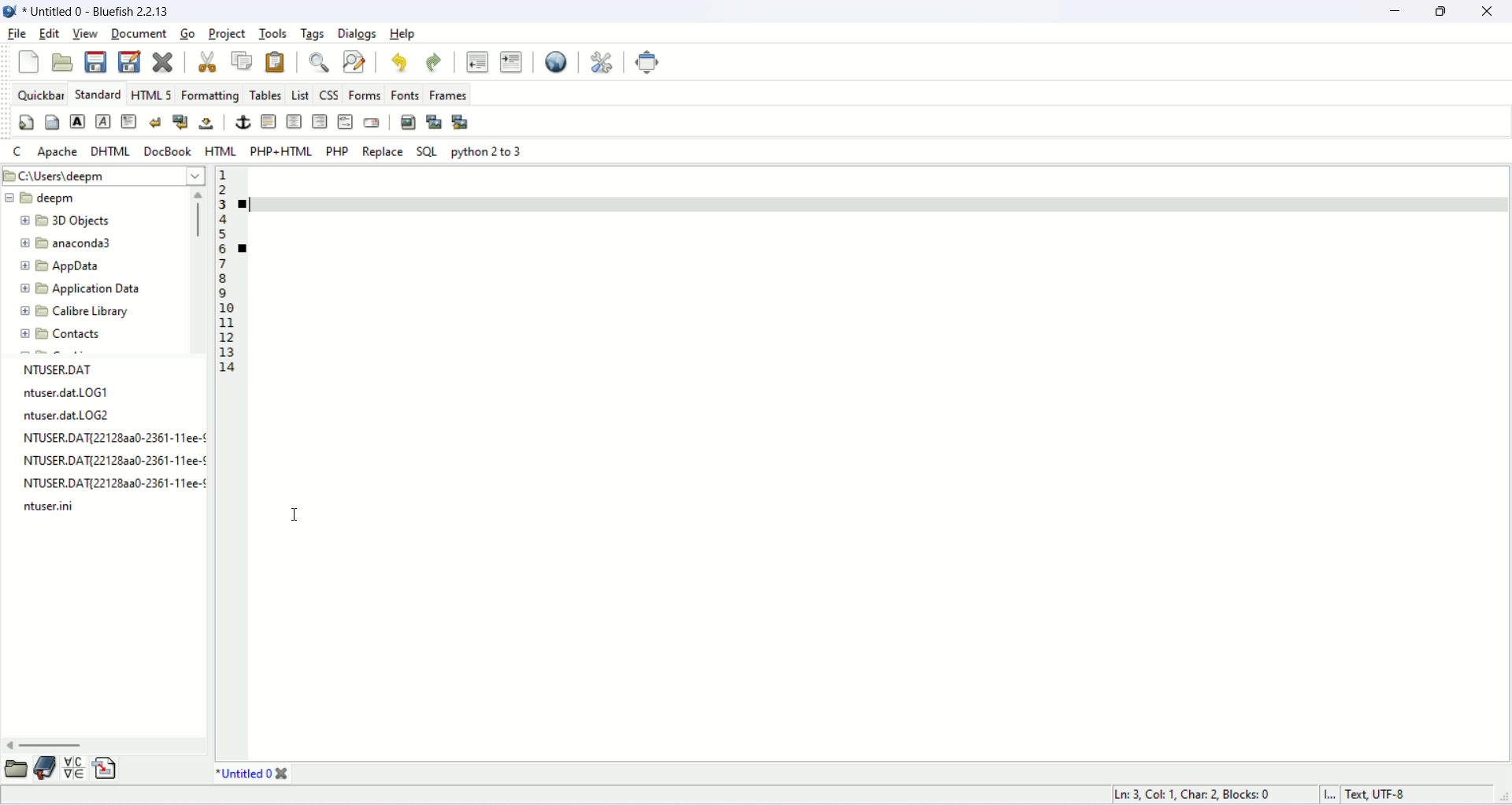  I want to click on charmap, so click(76, 772).